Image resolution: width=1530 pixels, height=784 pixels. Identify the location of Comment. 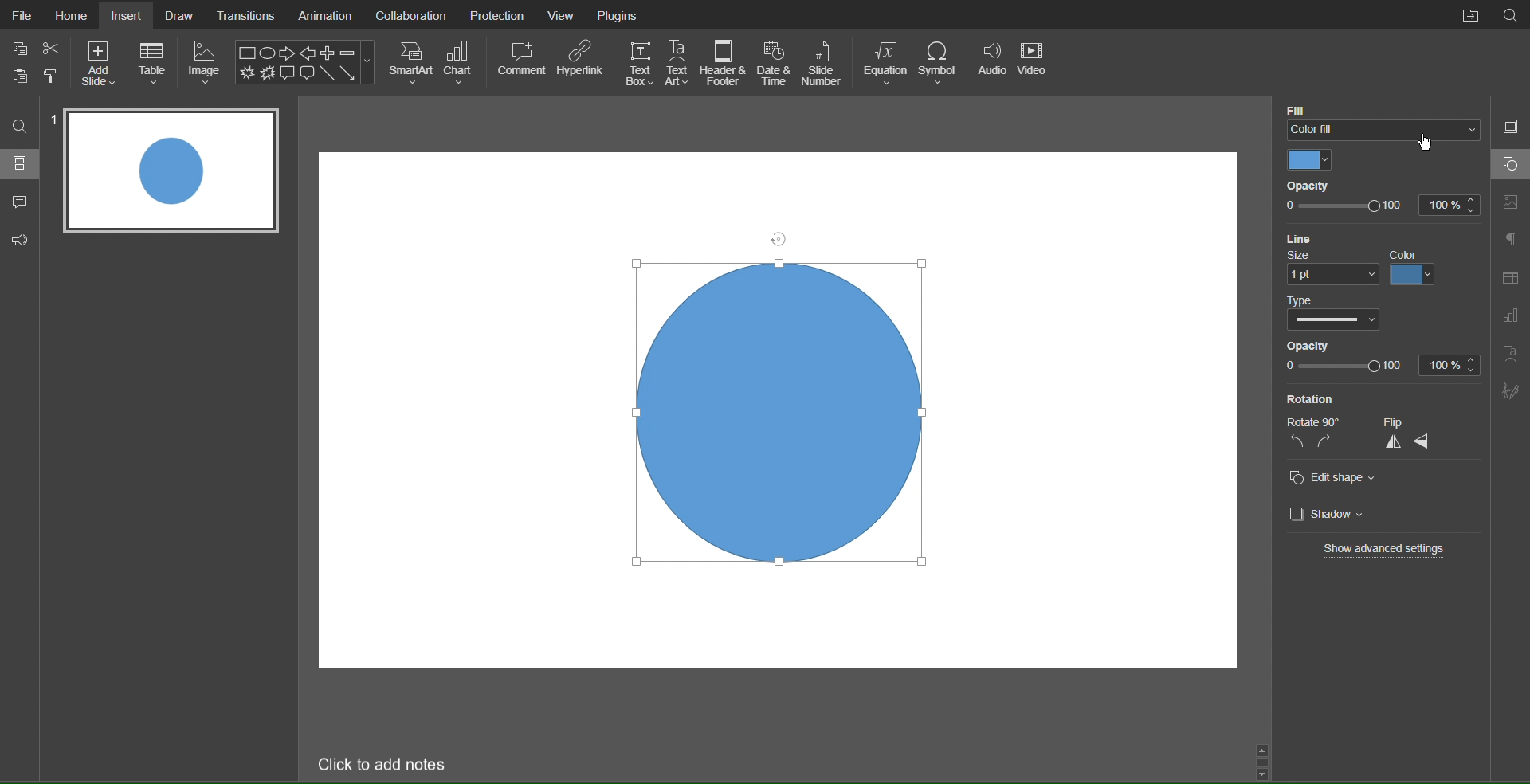
(521, 62).